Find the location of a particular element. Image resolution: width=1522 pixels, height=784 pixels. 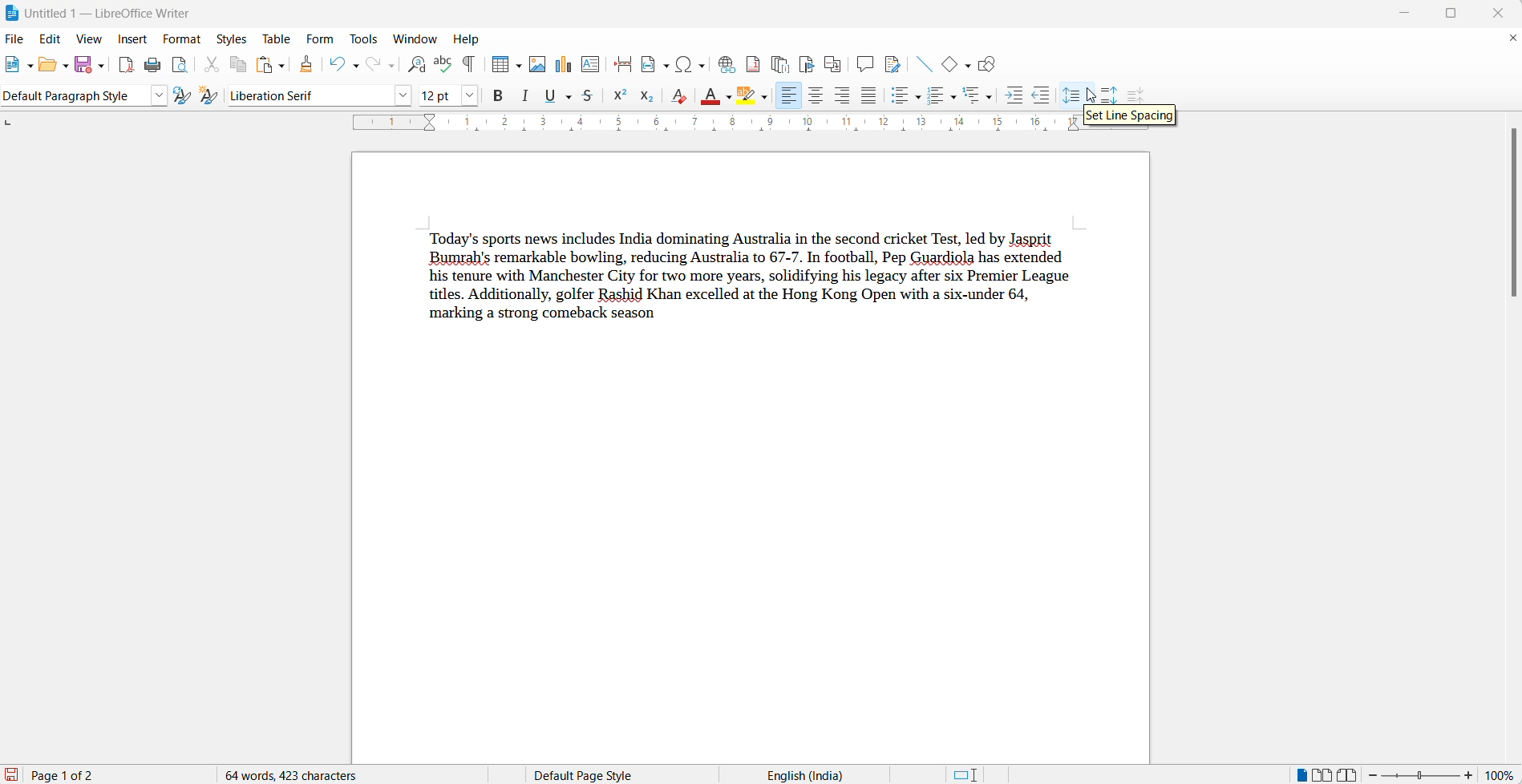

insert endnote is located at coordinates (778, 62).